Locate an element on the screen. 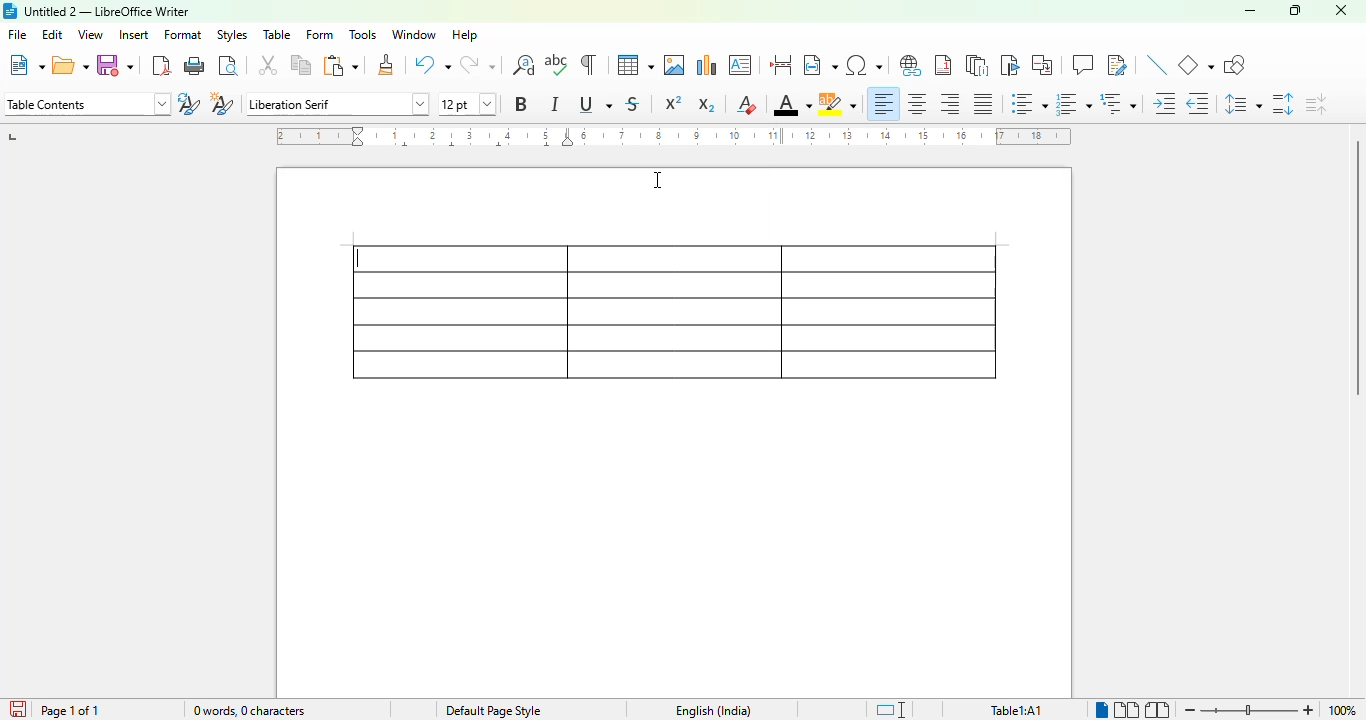 This screenshot has height=720, width=1366. clone formatting is located at coordinates (386, 64).